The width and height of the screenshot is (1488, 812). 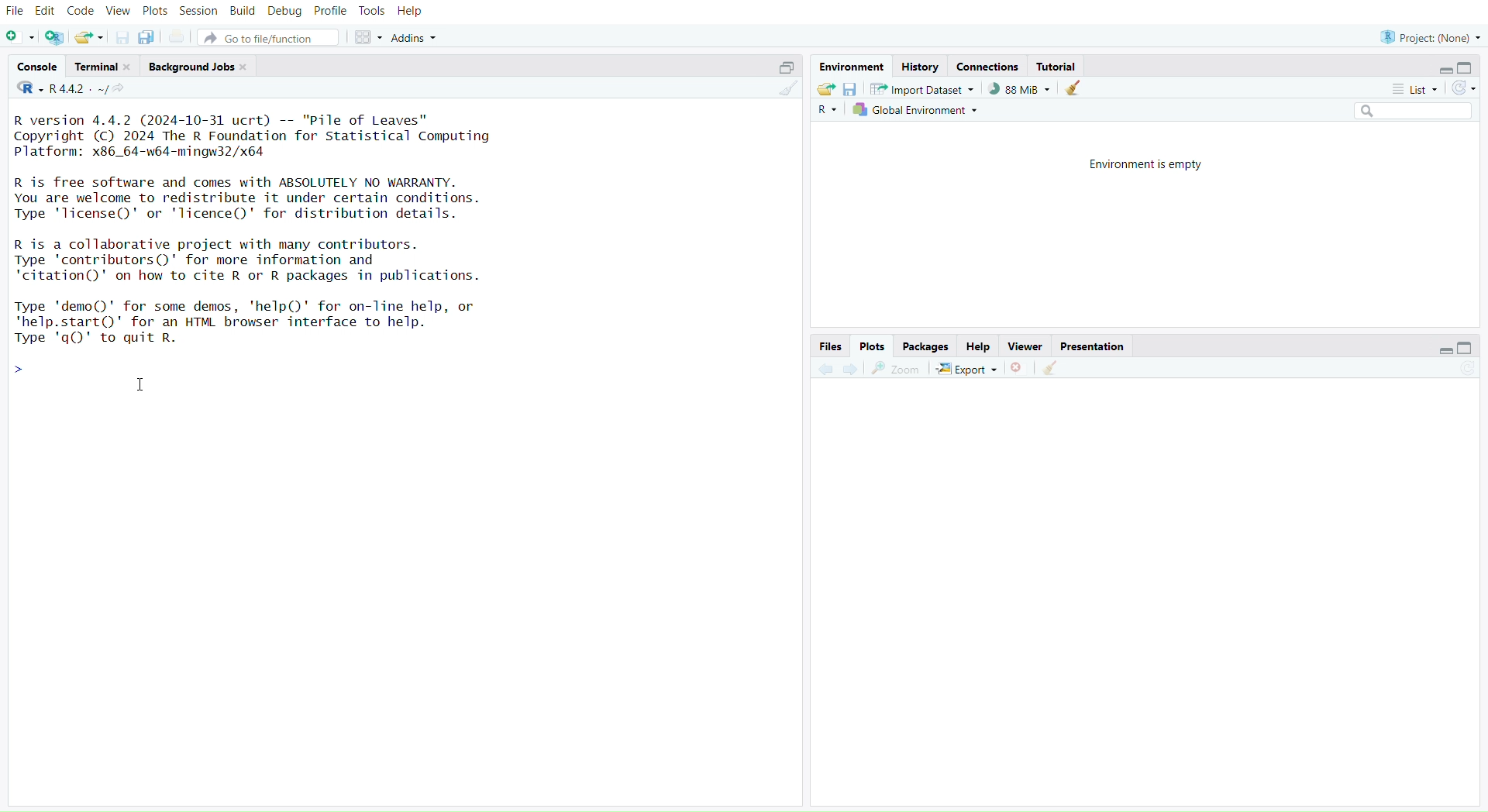 I want to click on packages, so click(x=926, y=347).